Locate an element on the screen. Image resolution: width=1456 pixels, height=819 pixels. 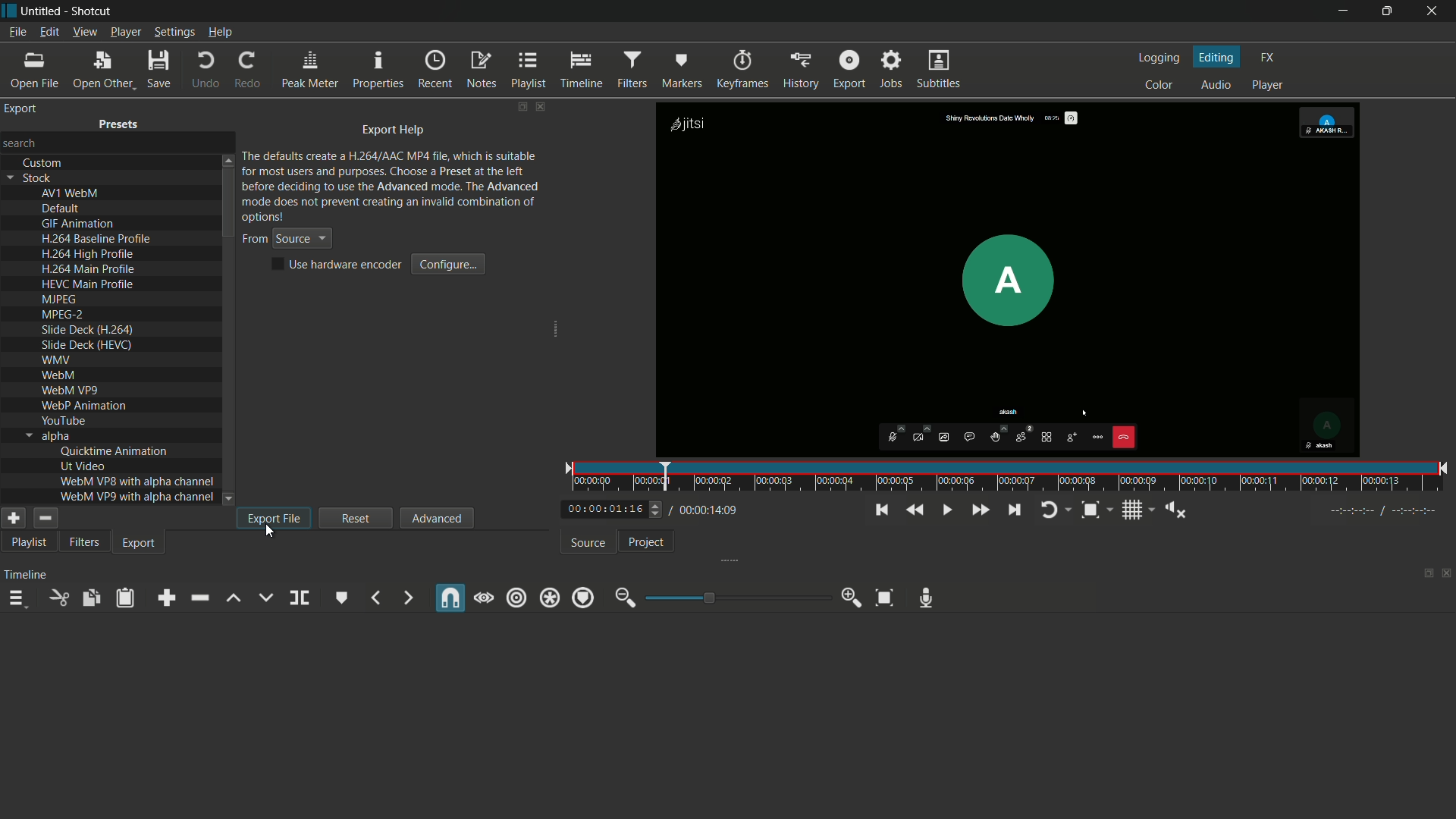
color is located at coordinates (1159, 86).